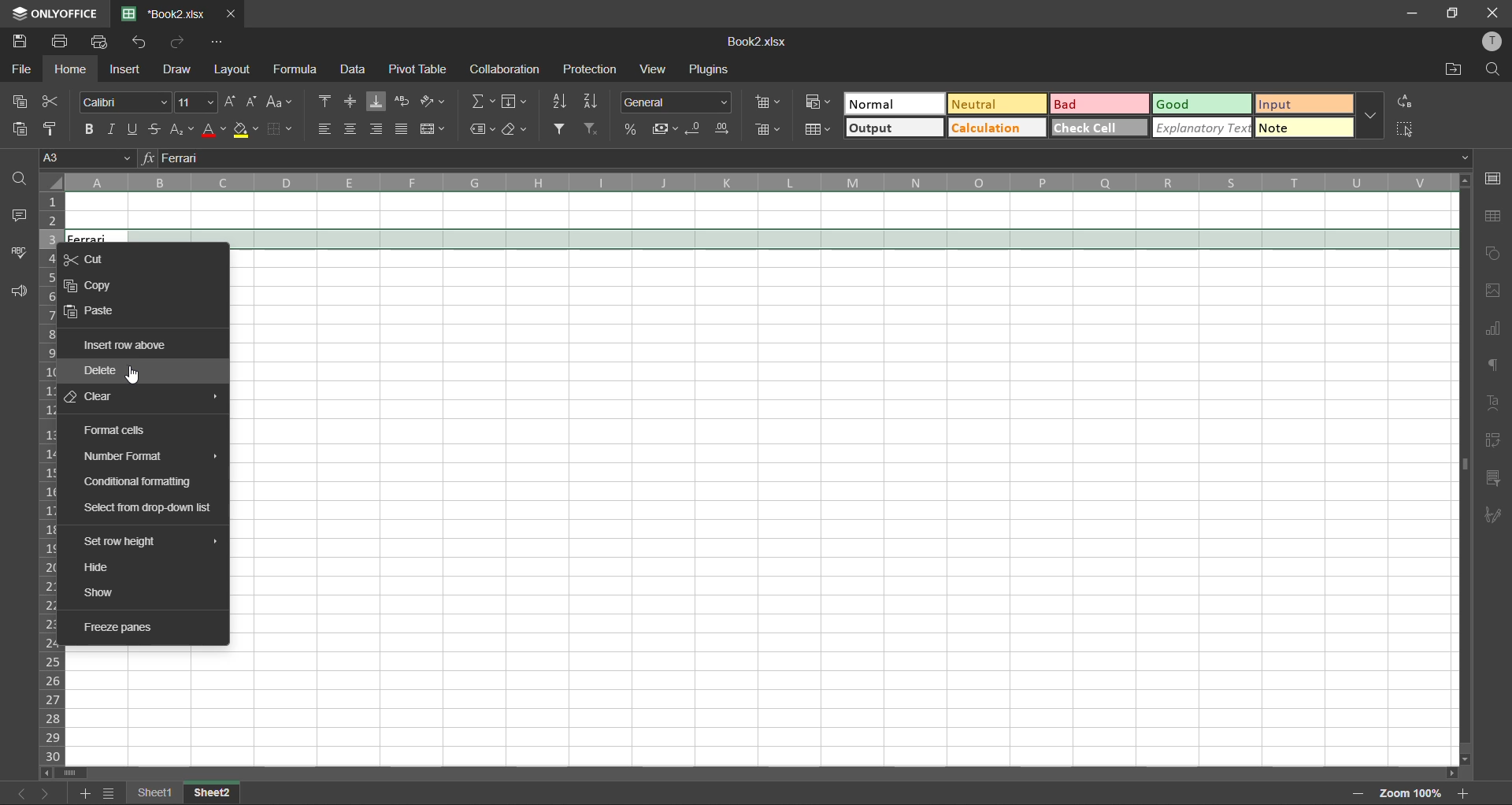 The image size is (1512, 805). Describe the element at coordinates (90, 159) in the screenshot. I see `cell address` at that location.